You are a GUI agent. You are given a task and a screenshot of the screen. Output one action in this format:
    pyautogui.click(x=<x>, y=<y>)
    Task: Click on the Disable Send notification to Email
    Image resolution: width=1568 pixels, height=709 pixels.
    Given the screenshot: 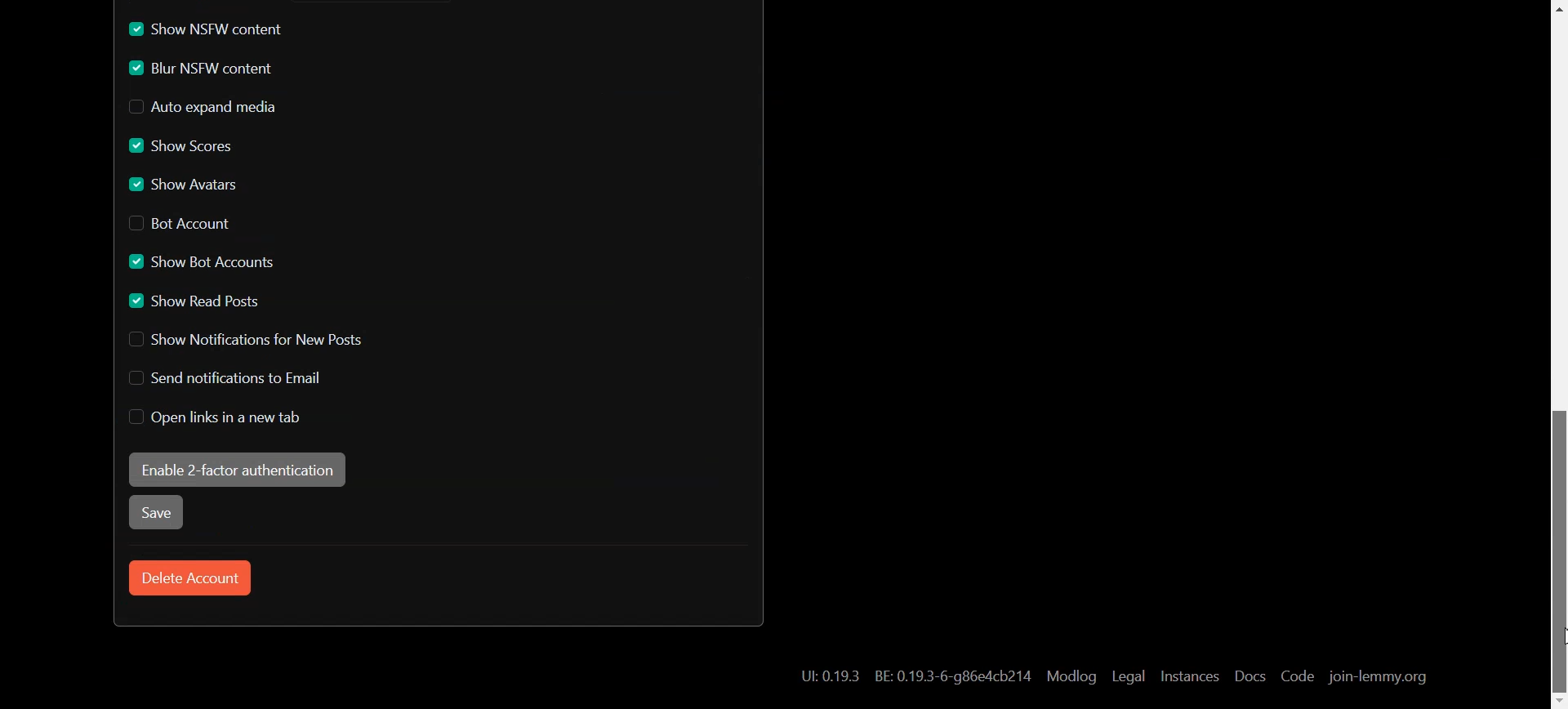 What is the action you would take?
    pyautogui.click(x=232, y=377)
    